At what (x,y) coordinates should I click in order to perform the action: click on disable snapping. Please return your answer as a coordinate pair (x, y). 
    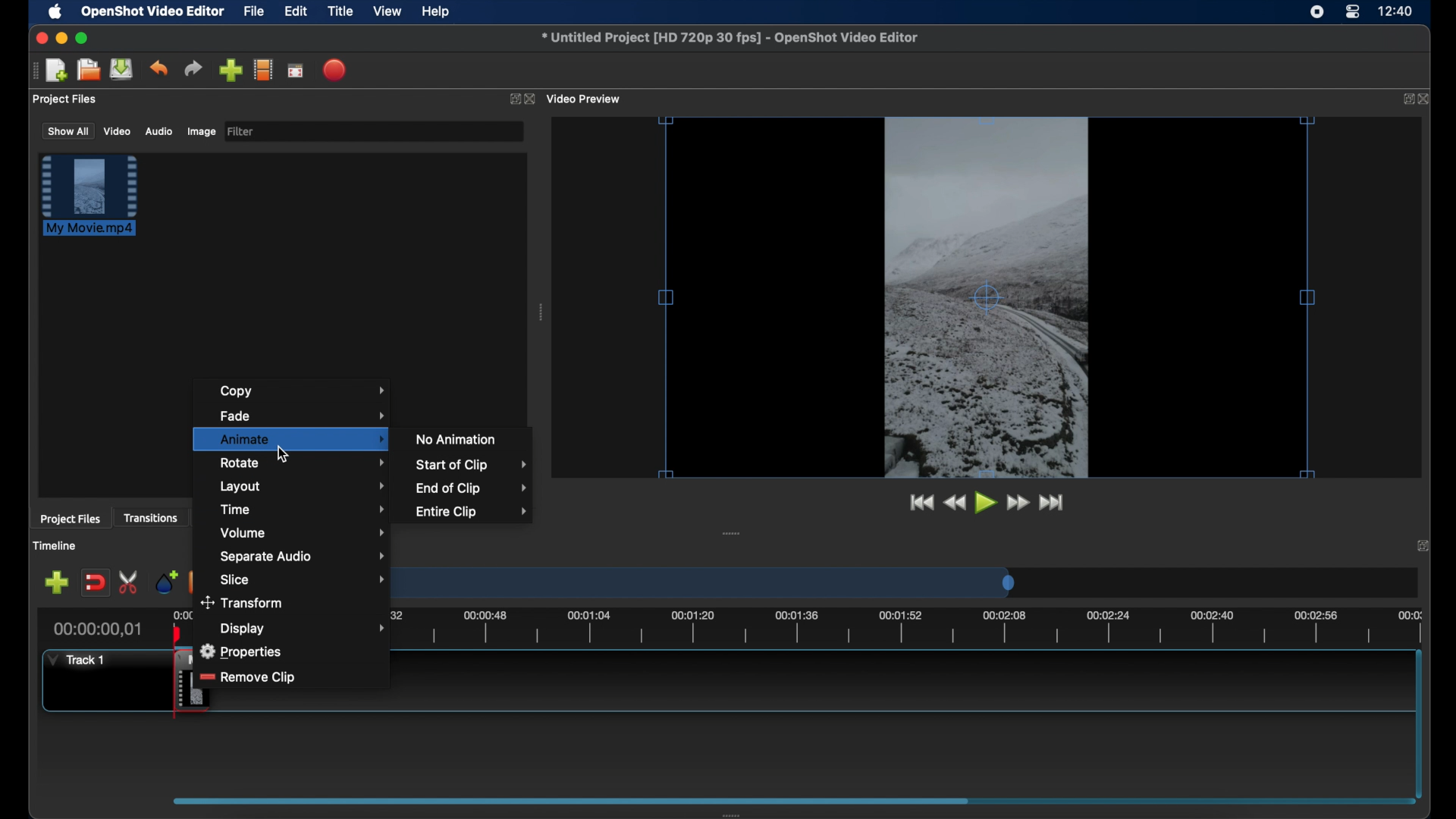
    Looking at the image, I should click on (95, 583).